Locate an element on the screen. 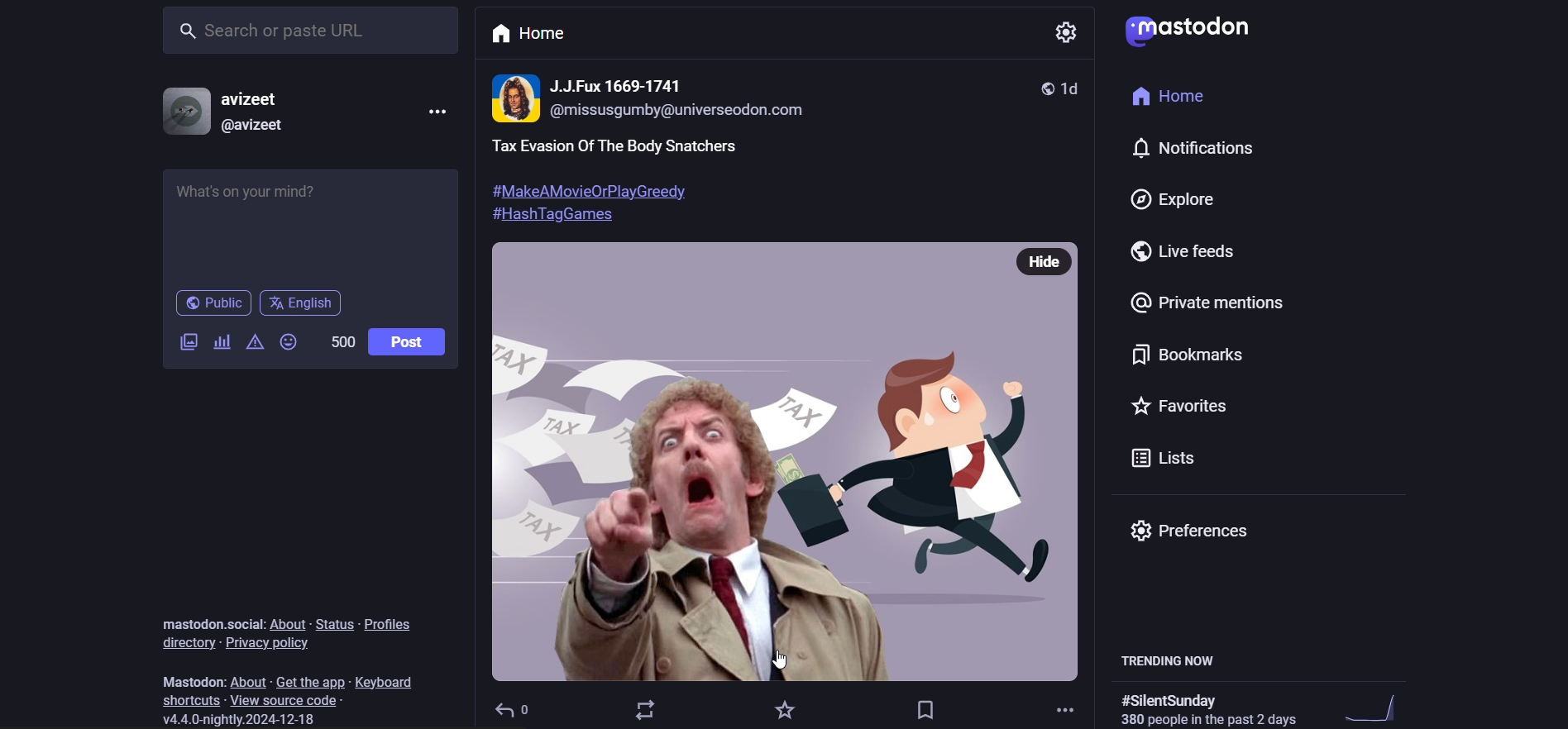 The width and height of the screenshot is (1568, 729). trending hashtag is located at coordinates (1213, 704).